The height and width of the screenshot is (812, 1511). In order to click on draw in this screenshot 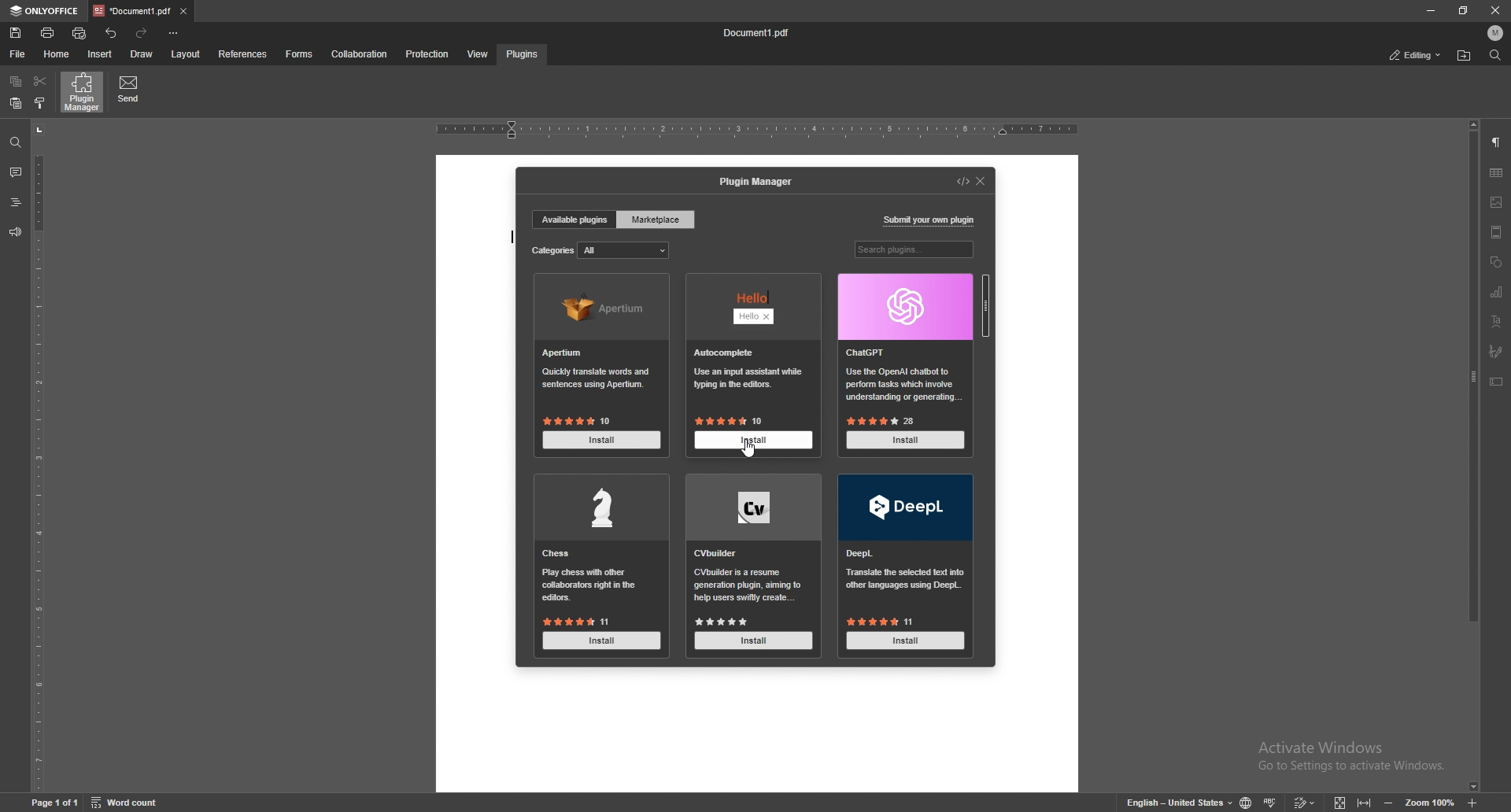, I will do `click(141, 55)`.